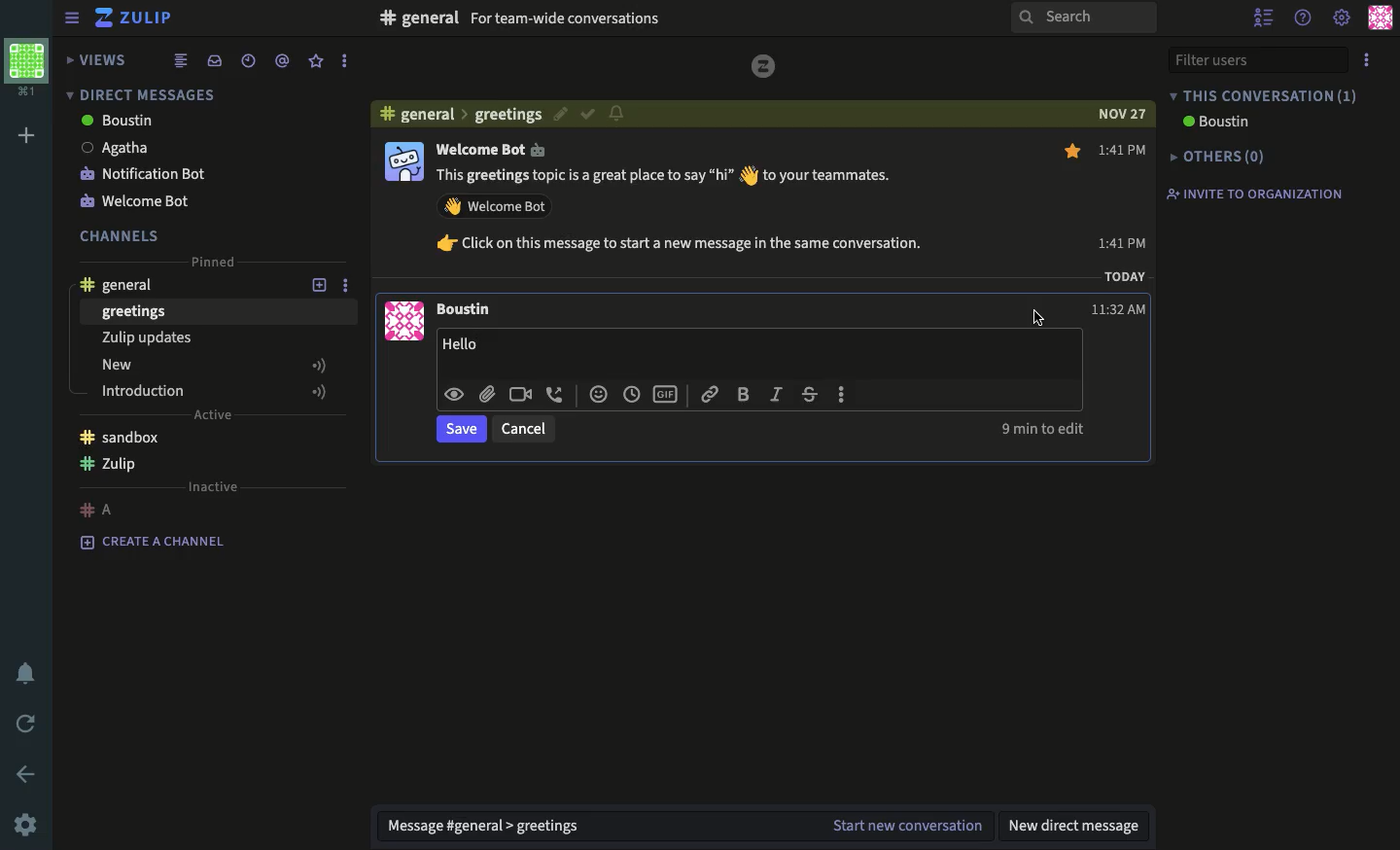 The width and height of the screenshot is (1400, 850). I want to click on sandbox, so click(120, 437).